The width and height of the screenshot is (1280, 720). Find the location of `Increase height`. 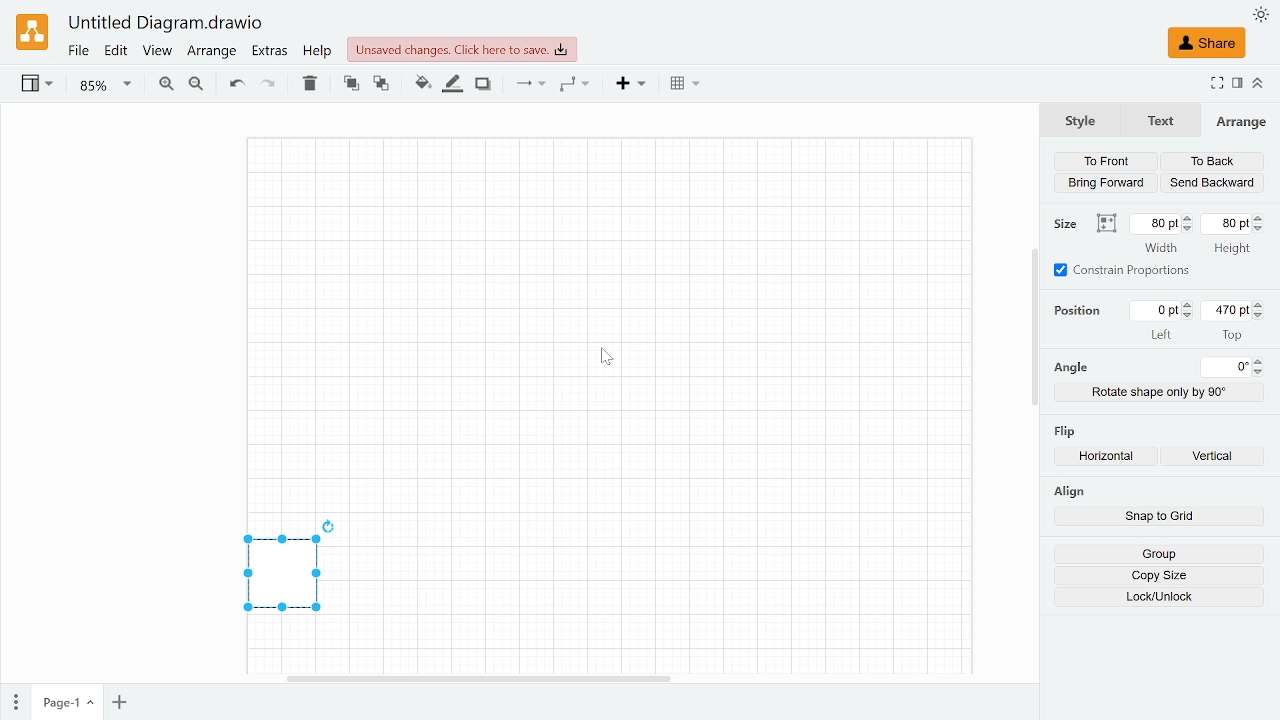

Increase height is located at coordinates (1262, 217).